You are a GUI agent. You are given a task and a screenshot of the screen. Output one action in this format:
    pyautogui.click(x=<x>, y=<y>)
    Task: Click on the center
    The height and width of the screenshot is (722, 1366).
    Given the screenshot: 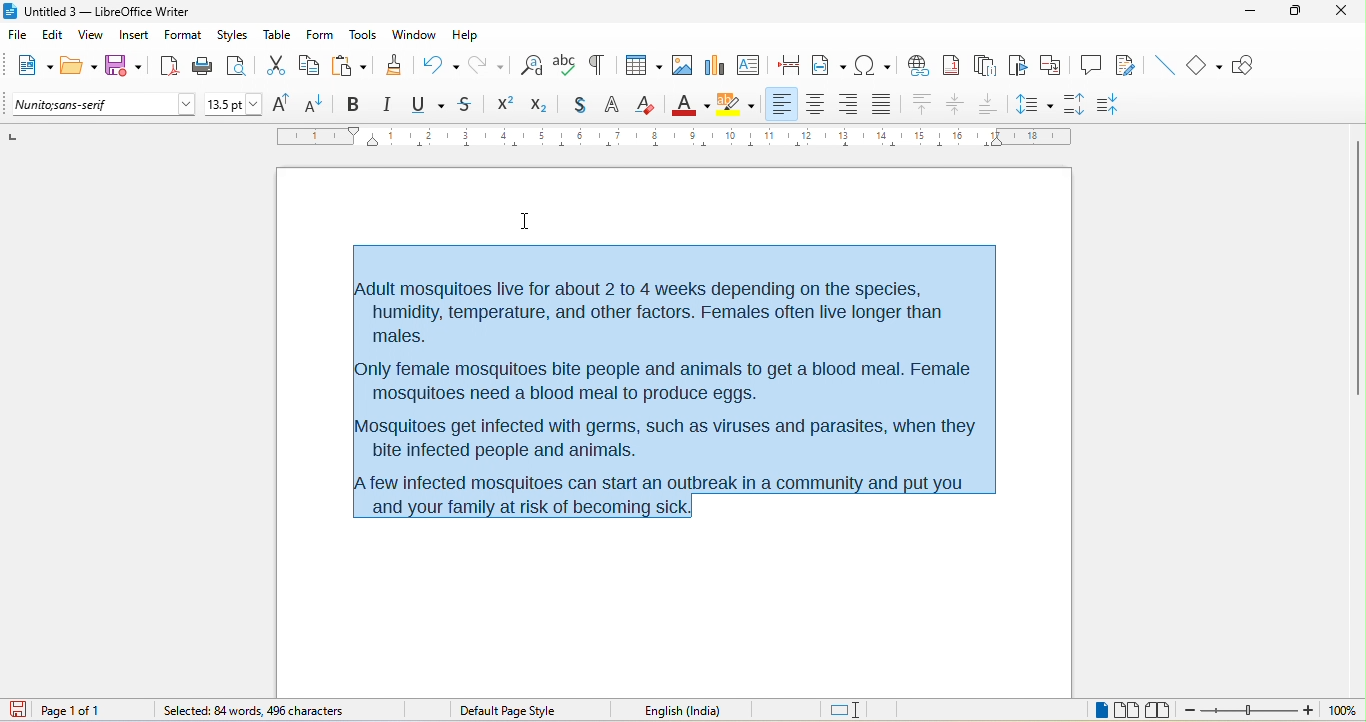 What is the action you would take?
    pyautogui.click(x=957, y=105)
    